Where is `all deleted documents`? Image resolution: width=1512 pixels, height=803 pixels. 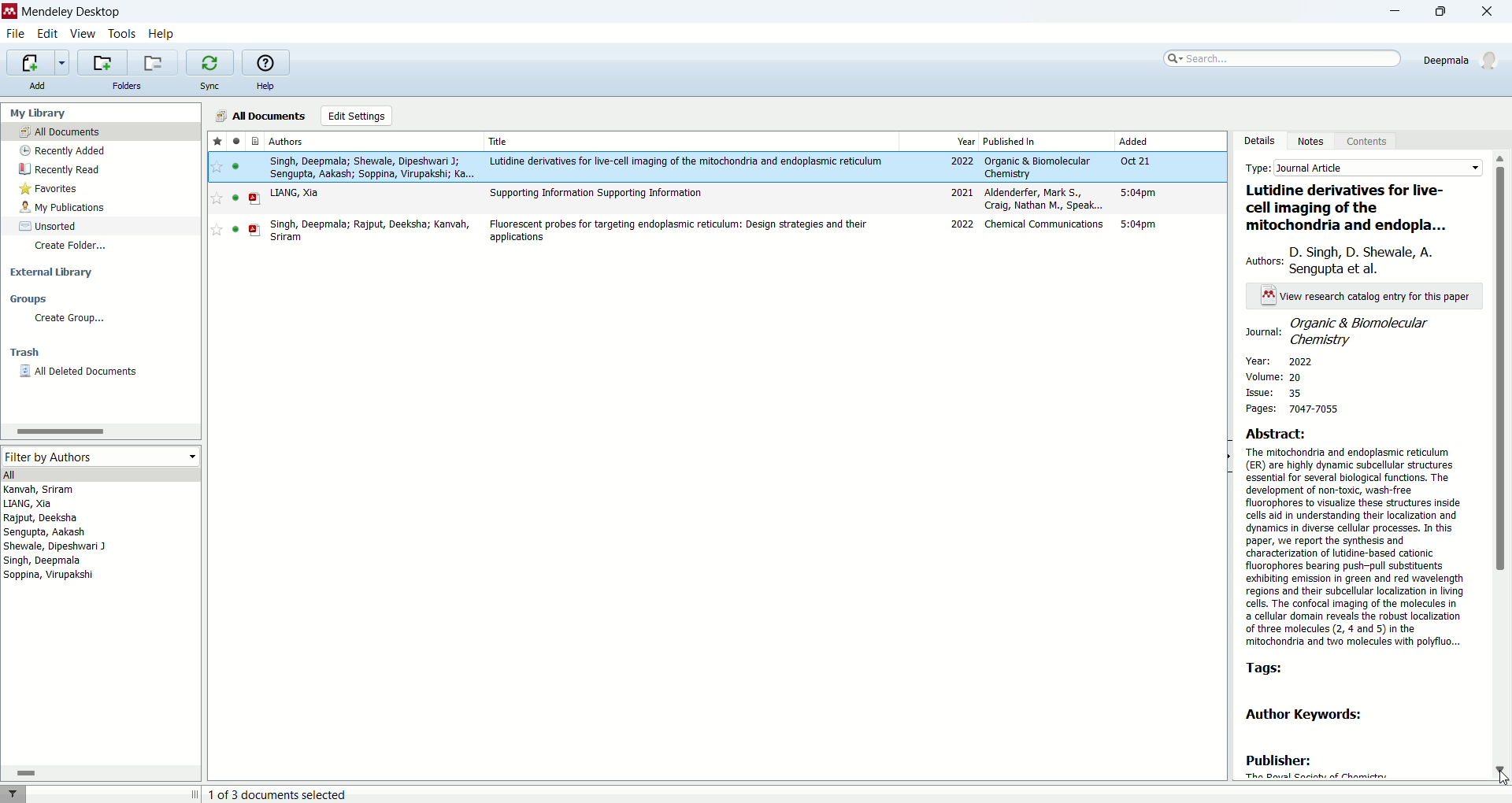
all deleted documents is located at coordinates (80, 372).